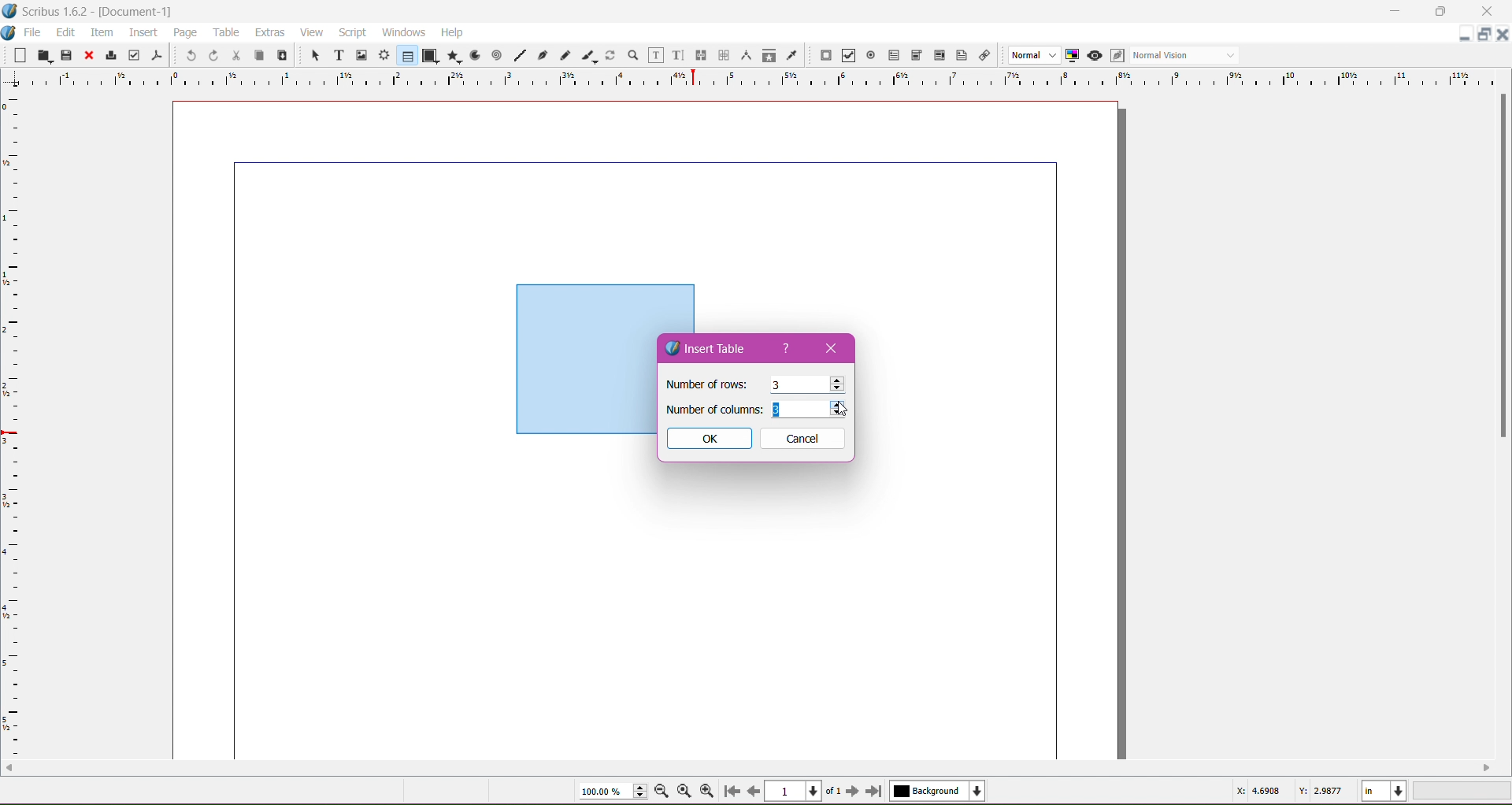 The image size is (1512, 805). What do you see at coordinates (517, 56) in the screenshot?
I see `Line` at bounding box center [517, 56].